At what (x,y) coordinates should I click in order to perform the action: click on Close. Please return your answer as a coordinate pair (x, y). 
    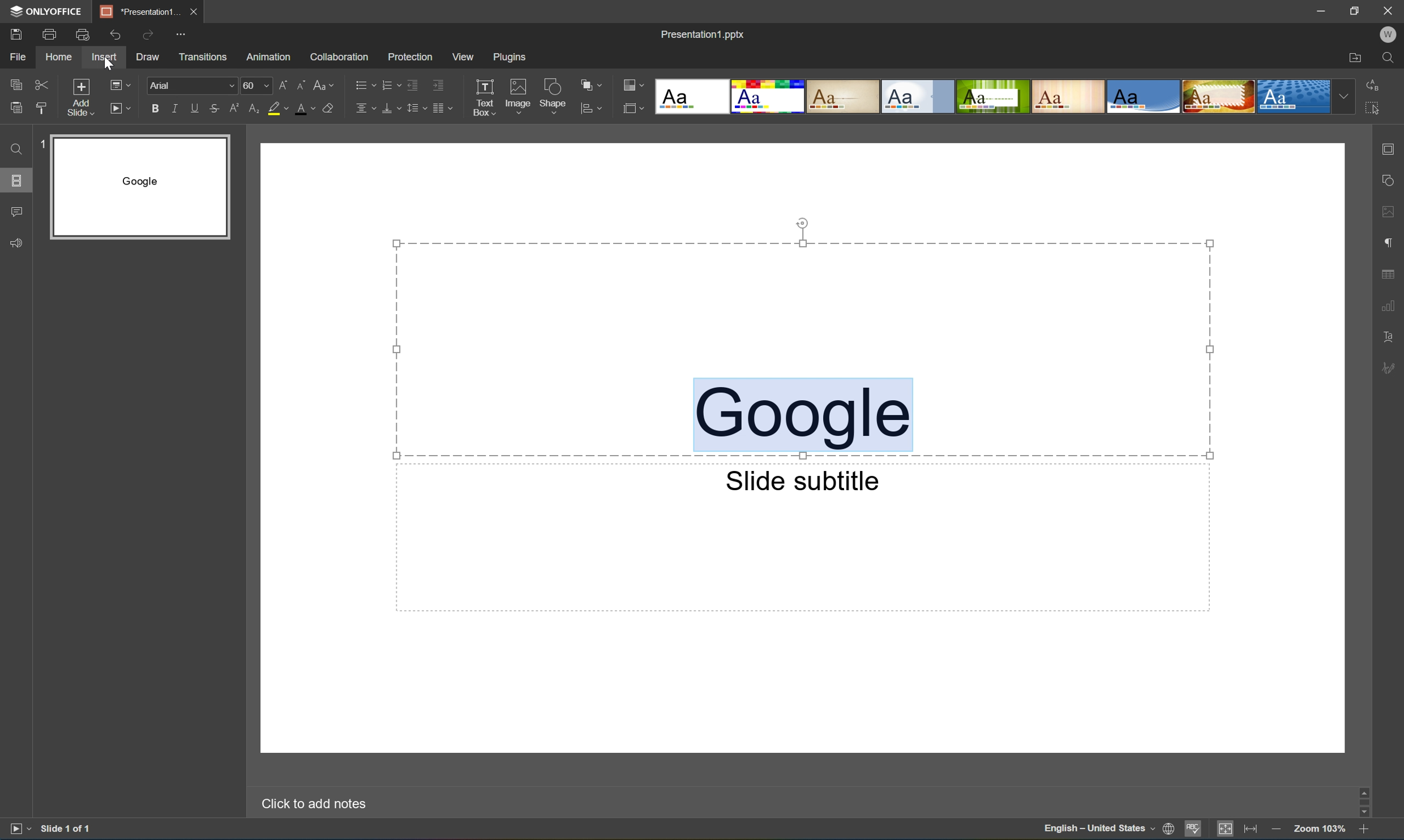
    Looking at the image, I should click on (1388, 11).